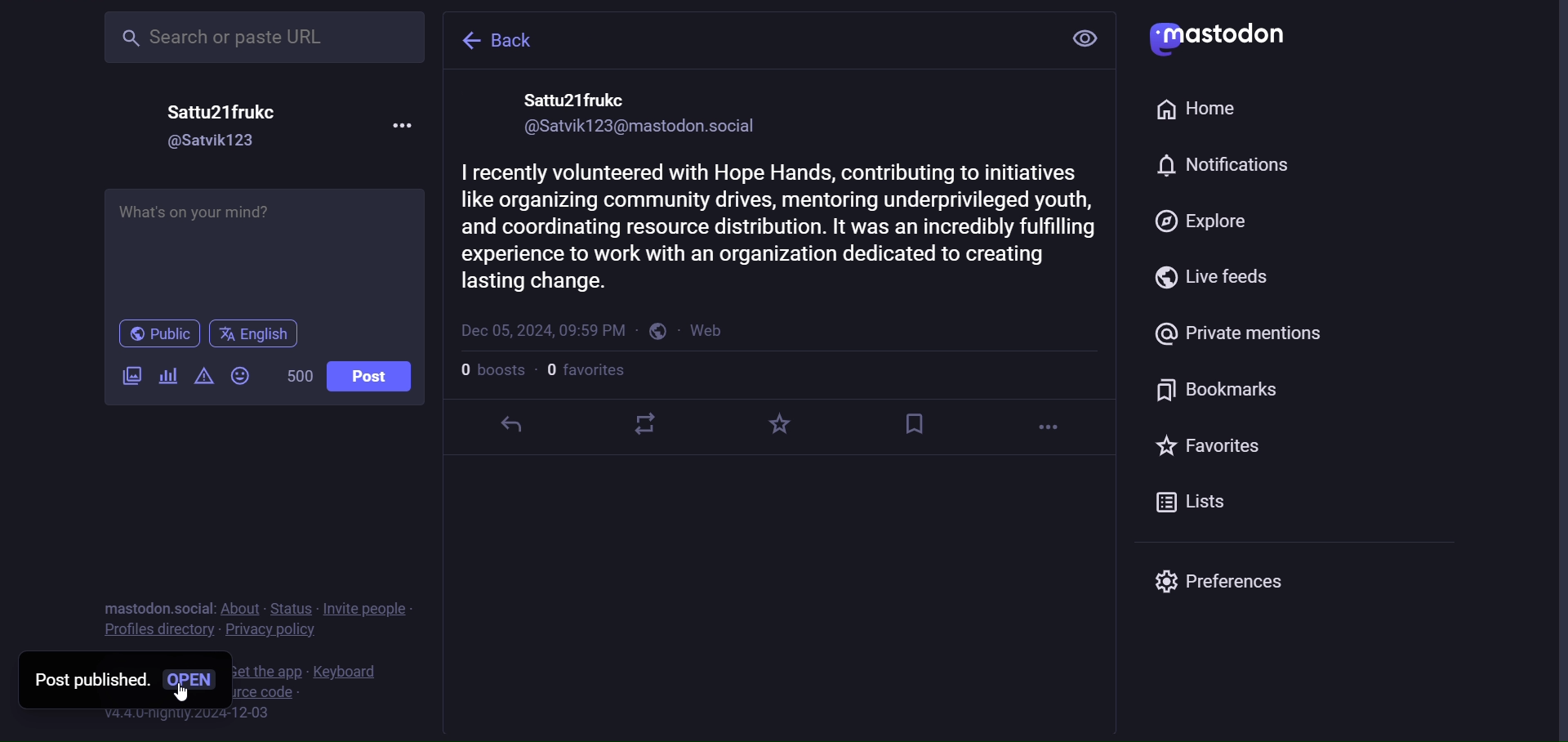 The image size is (1568, 742). I want to click on about, so click(238, 608).